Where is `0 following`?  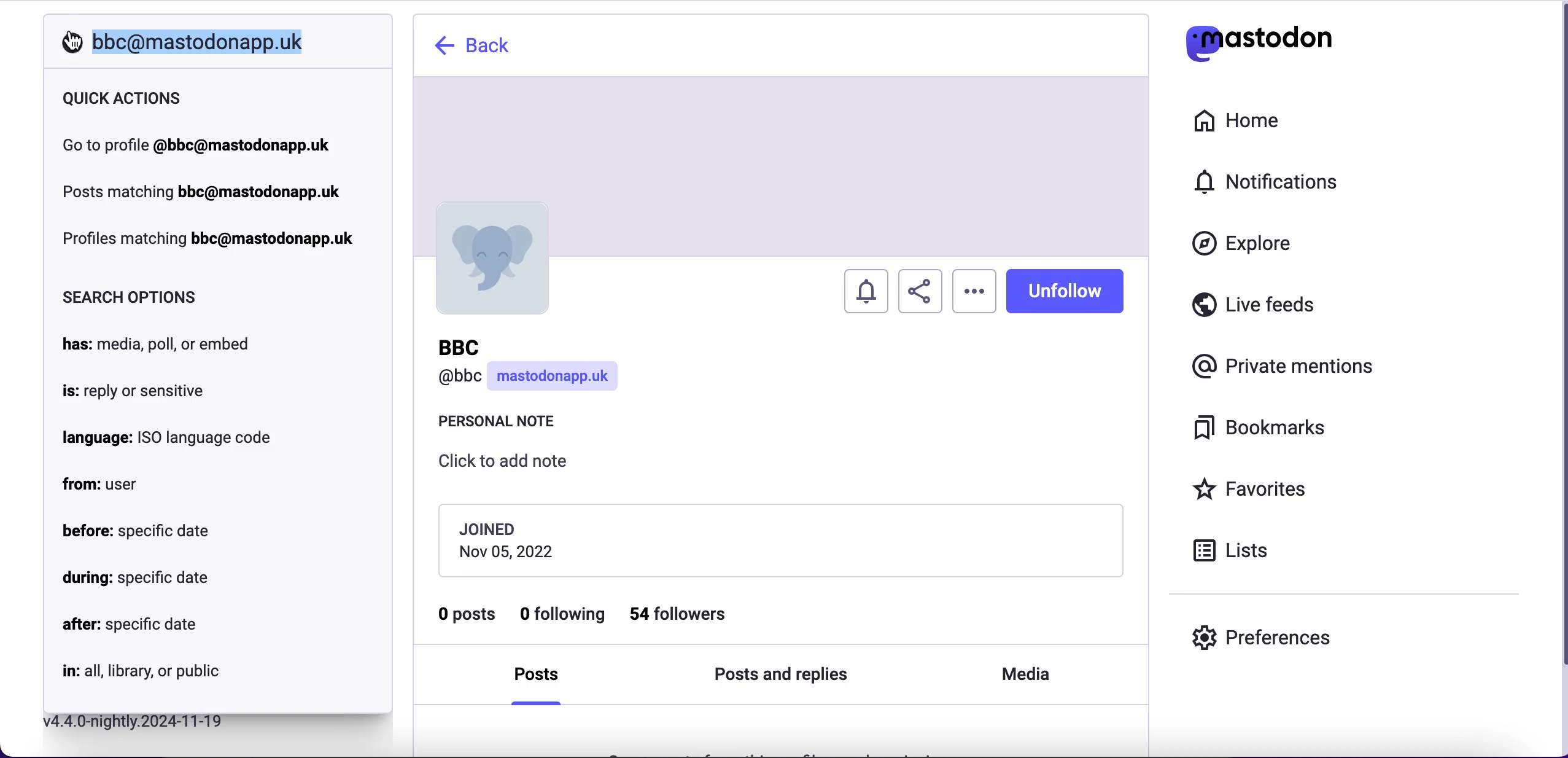 0 following is located at coordinates (564, 616).